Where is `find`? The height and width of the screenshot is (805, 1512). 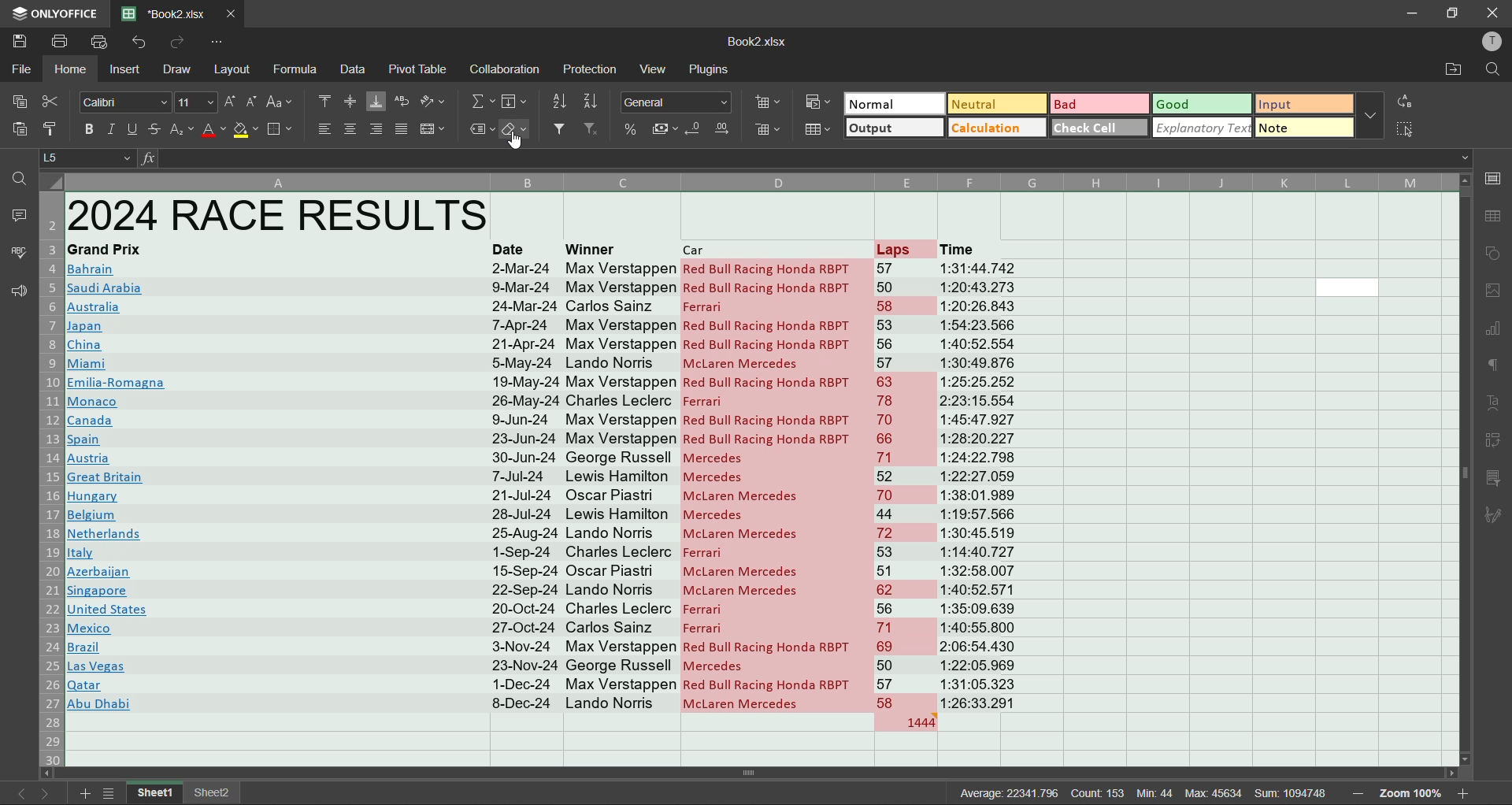
find is located at coordinates (1495, 69).